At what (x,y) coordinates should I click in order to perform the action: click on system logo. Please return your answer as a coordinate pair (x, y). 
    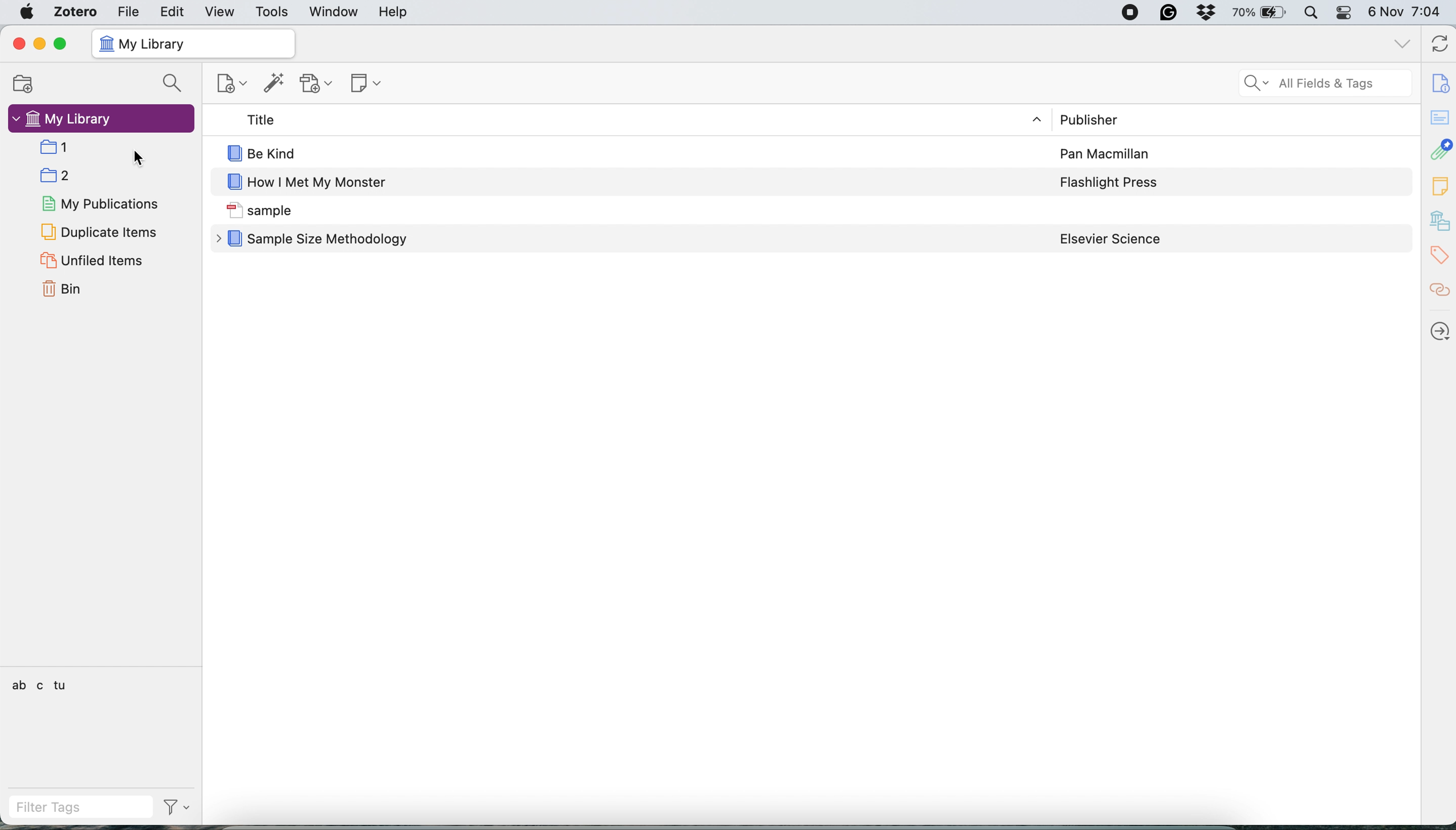
    Looking at the image, I should click on (24, 13).